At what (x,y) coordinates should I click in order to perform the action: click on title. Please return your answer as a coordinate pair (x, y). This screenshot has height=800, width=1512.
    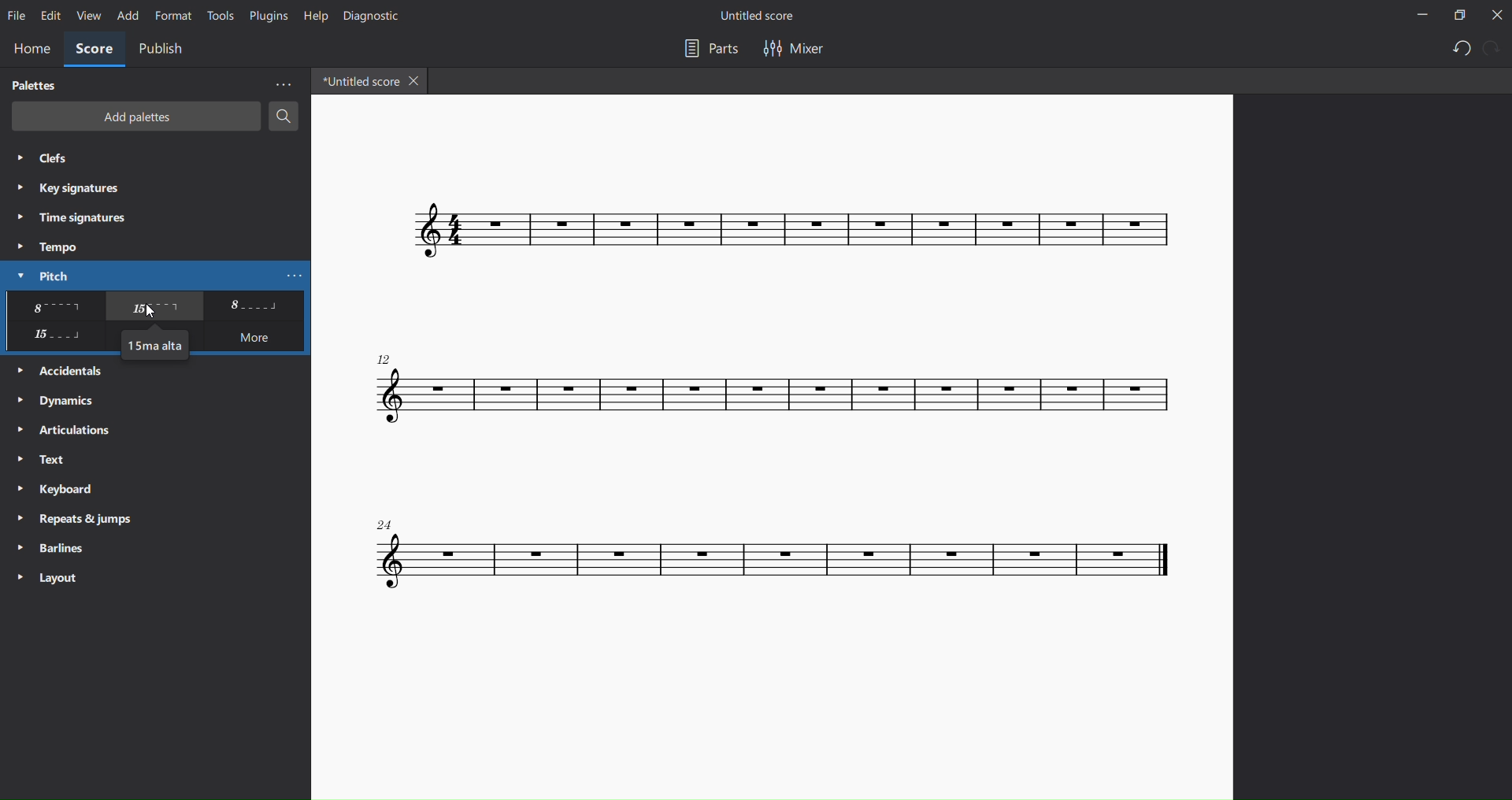
    Looking at the image, I should click on (762, 17).